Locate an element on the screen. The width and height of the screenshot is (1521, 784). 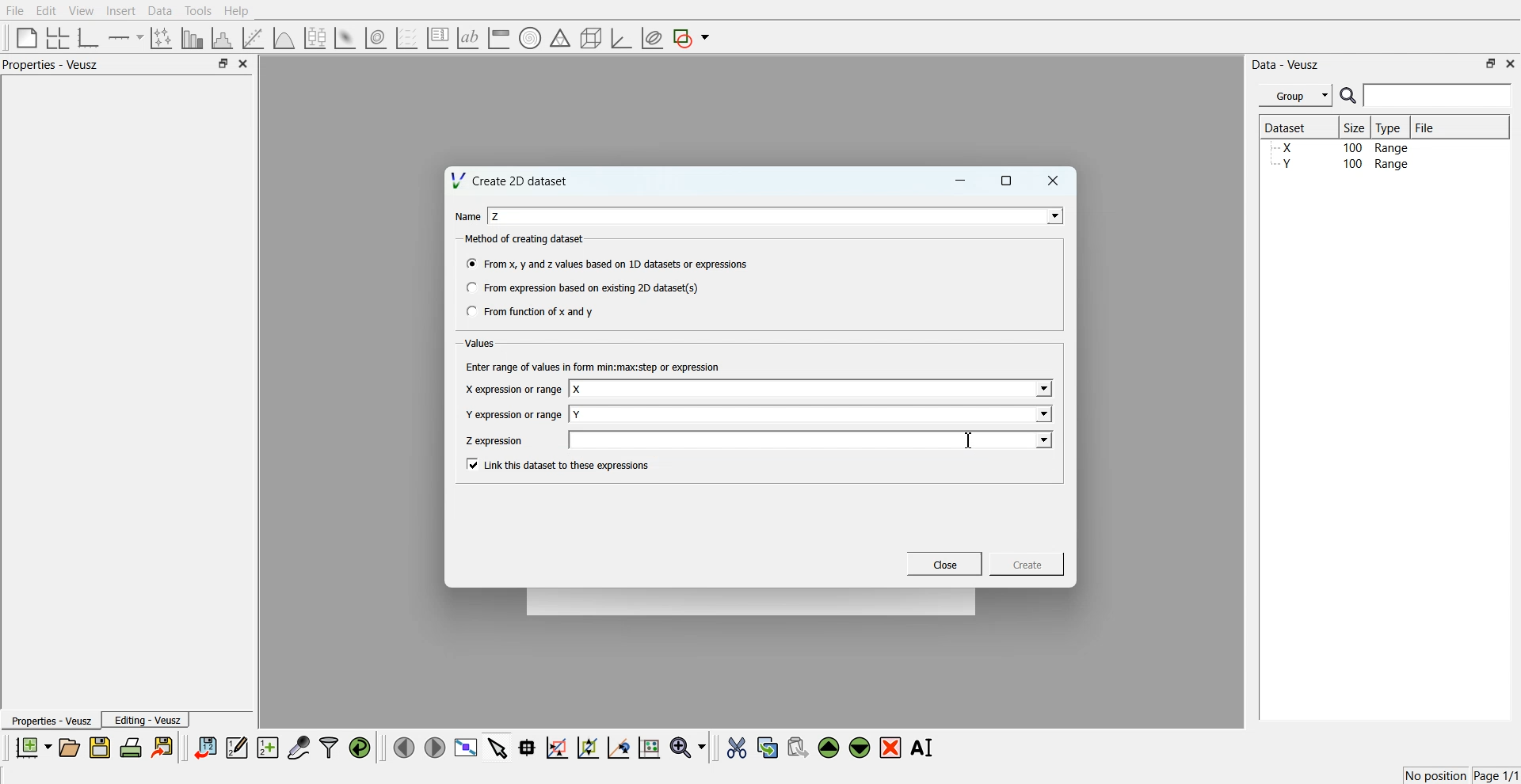
= NY expression or range is located at coordinates (514, 414).